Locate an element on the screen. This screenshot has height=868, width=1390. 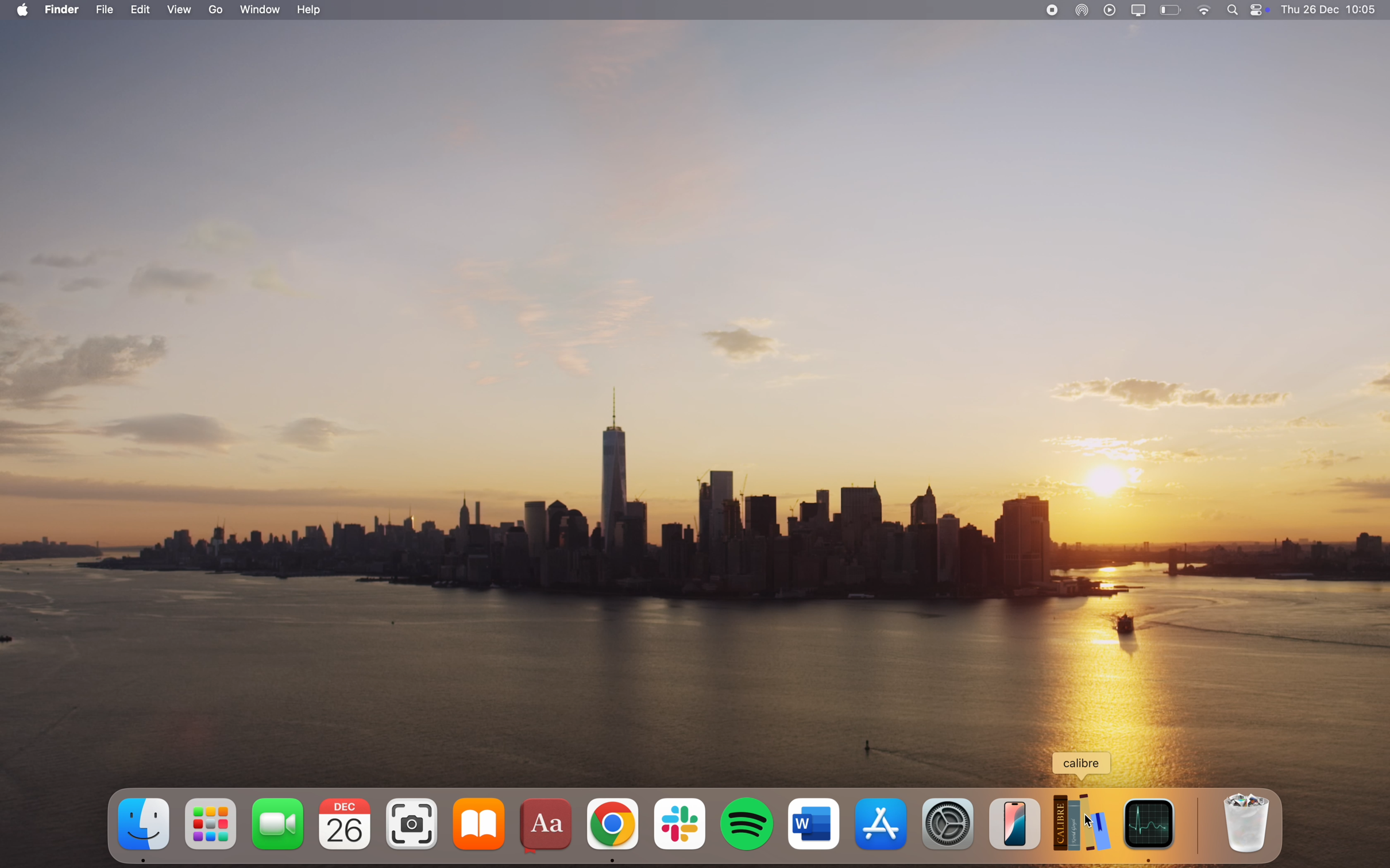
click on Calibre is located at coordinates (1083, 823).